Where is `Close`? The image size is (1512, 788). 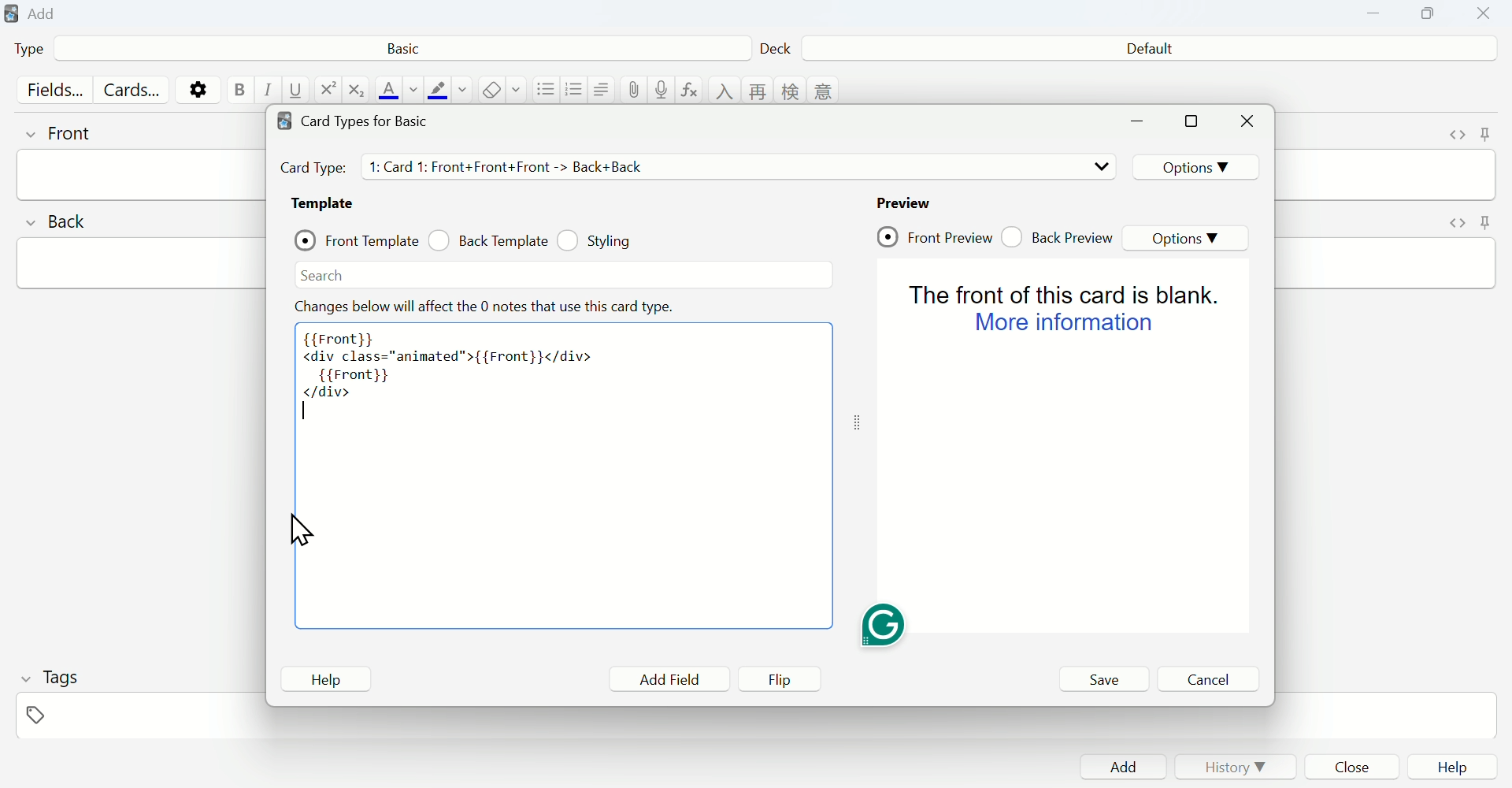 Close is located at coordinates (1351, 767).